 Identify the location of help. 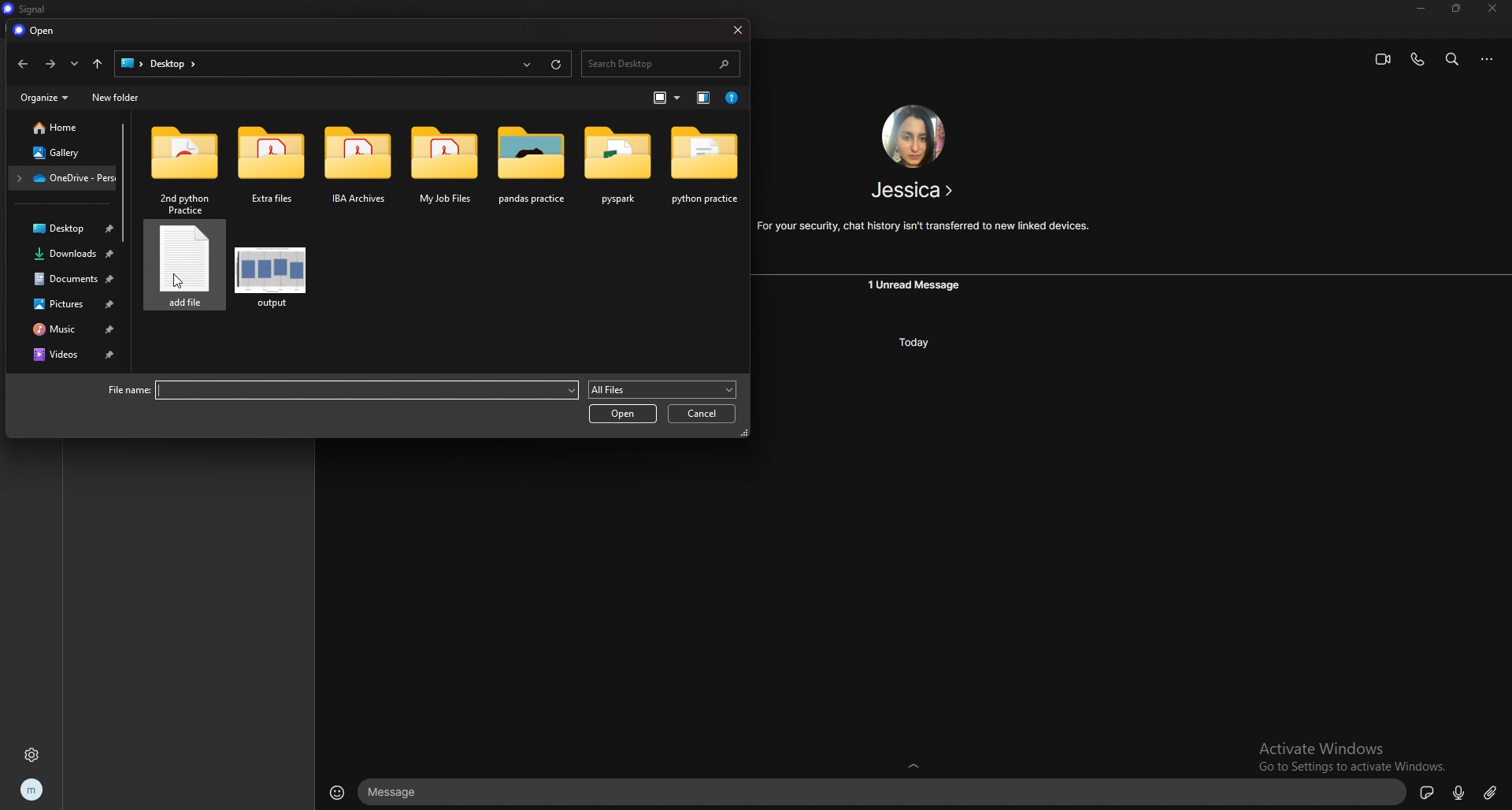
(732, 98).